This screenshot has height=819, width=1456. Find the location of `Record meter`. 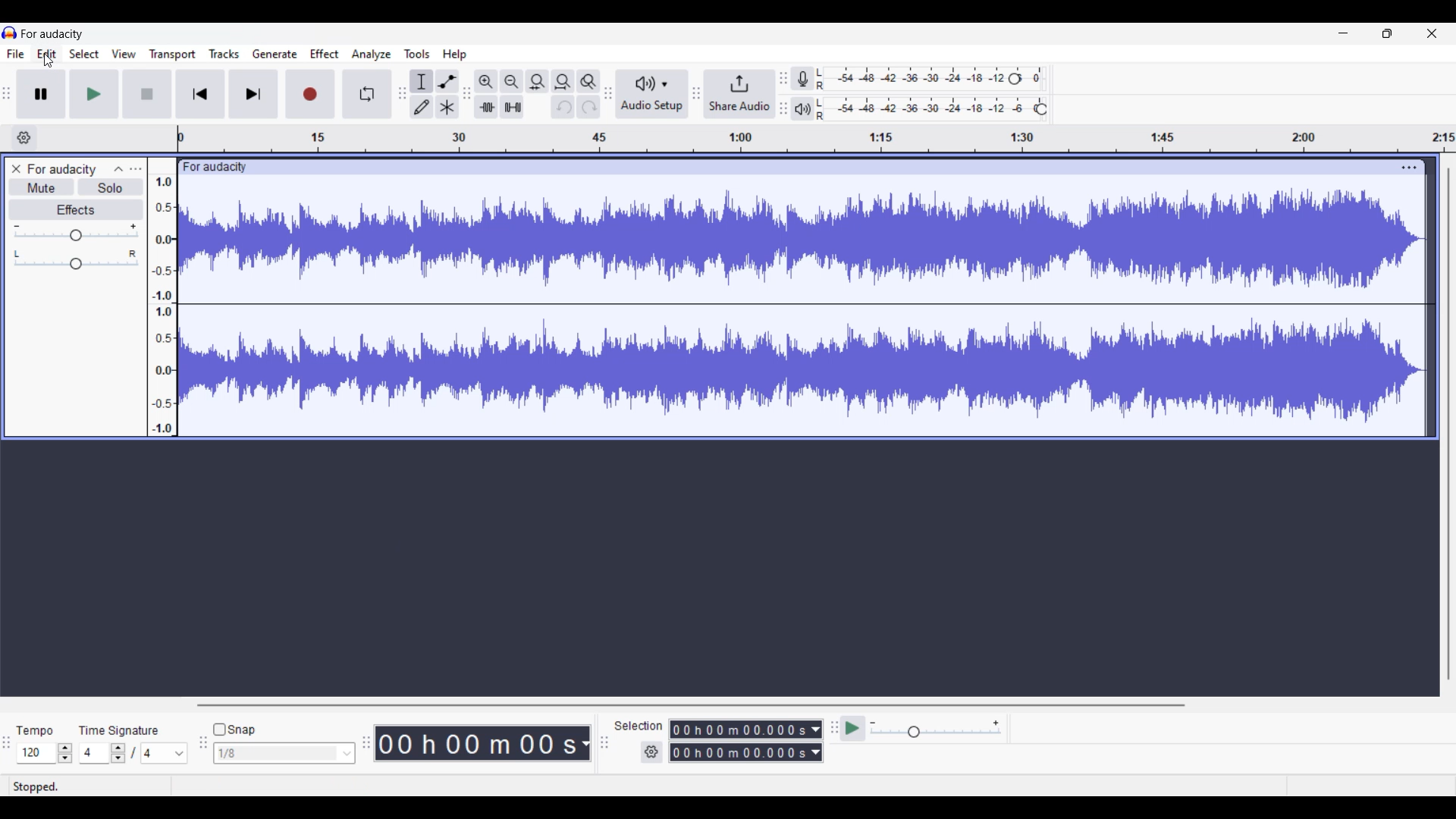

Record meter is located at coordinates (802, 79).